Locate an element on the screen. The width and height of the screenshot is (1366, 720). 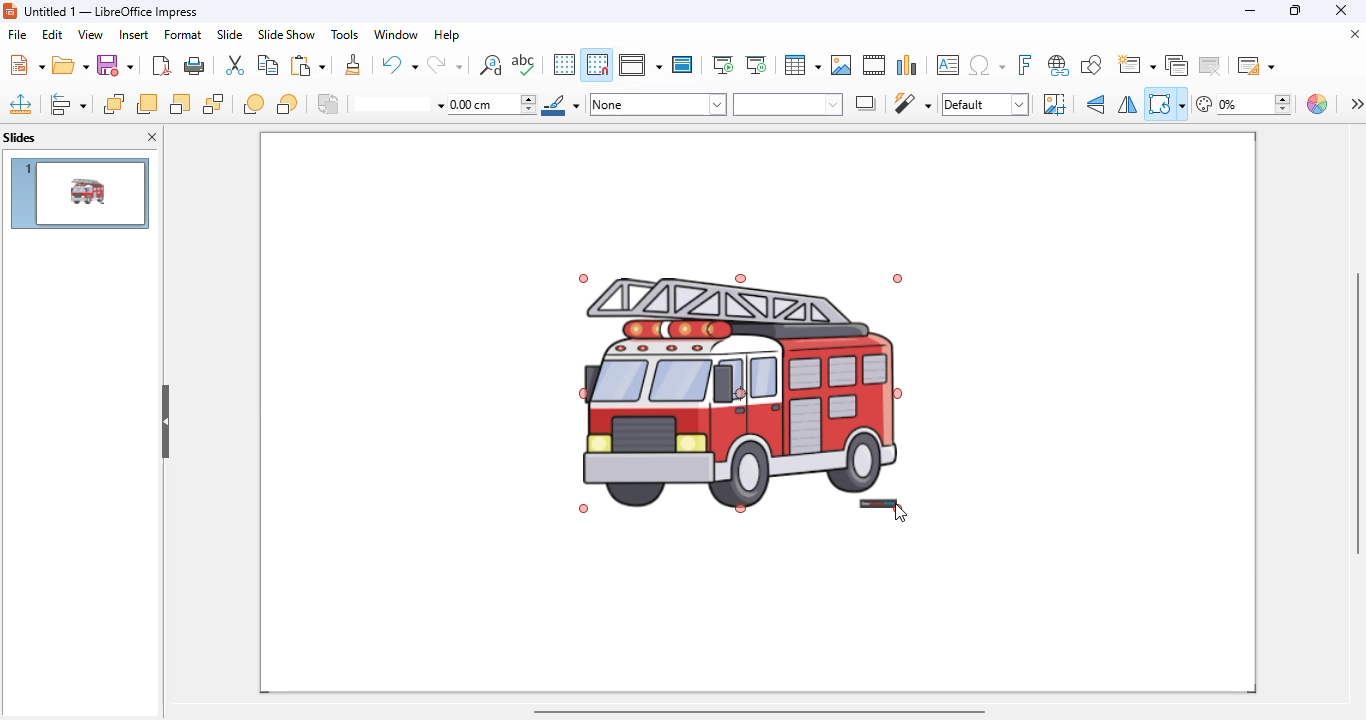
format is located at coordinates (183, 34).